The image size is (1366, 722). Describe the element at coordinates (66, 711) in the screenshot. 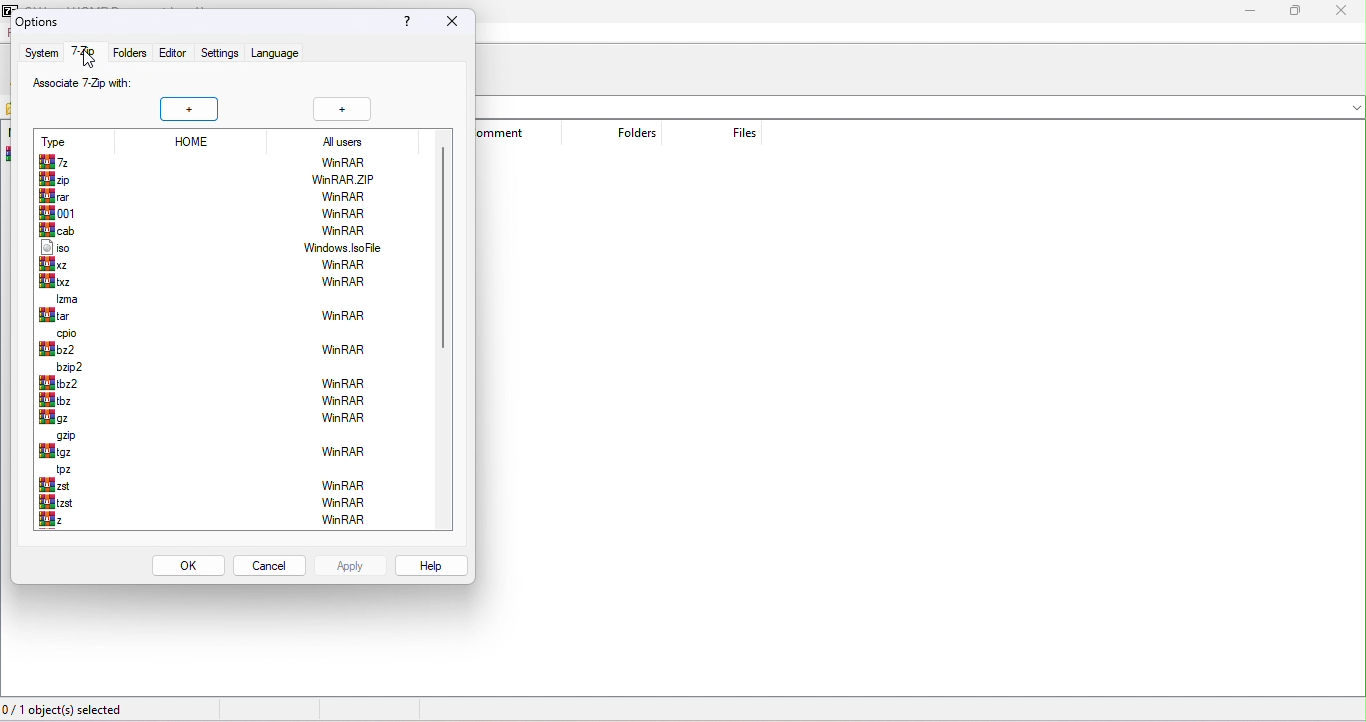

I see `0/1 object (s) selected` at that location.